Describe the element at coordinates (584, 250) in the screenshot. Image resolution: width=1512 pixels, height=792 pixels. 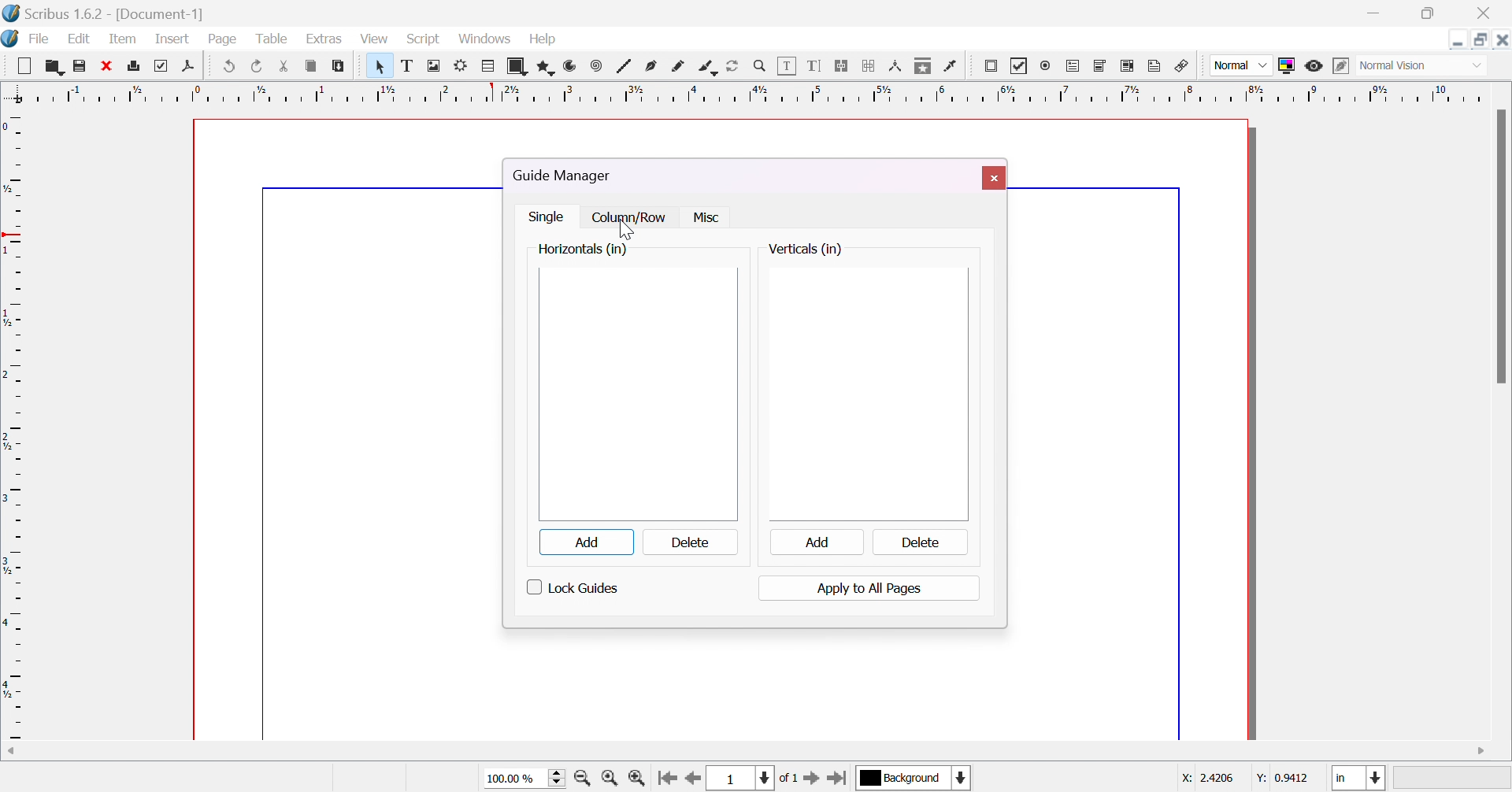
I see `horizontals (in)` at that location.